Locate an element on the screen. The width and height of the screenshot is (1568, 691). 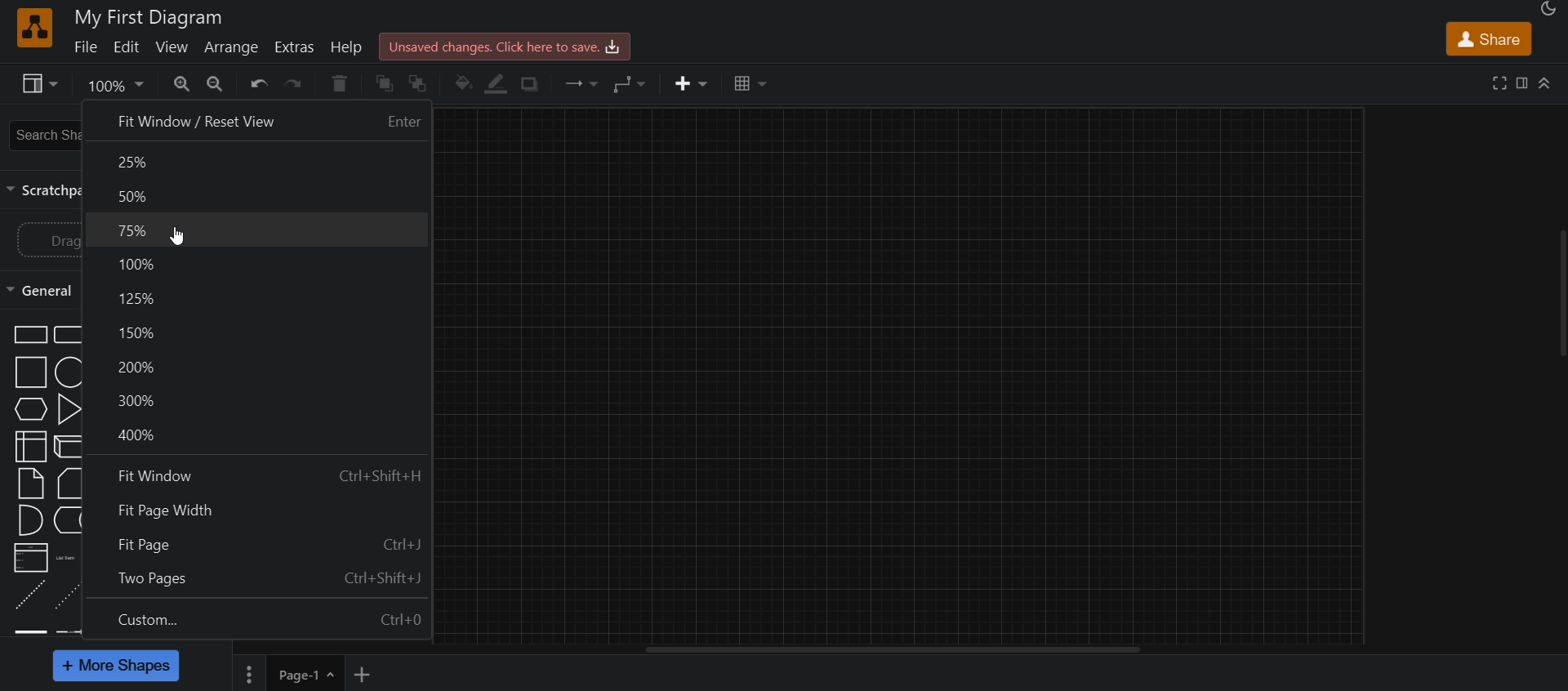
fit window/reset view is located at coordinates (257, 122).